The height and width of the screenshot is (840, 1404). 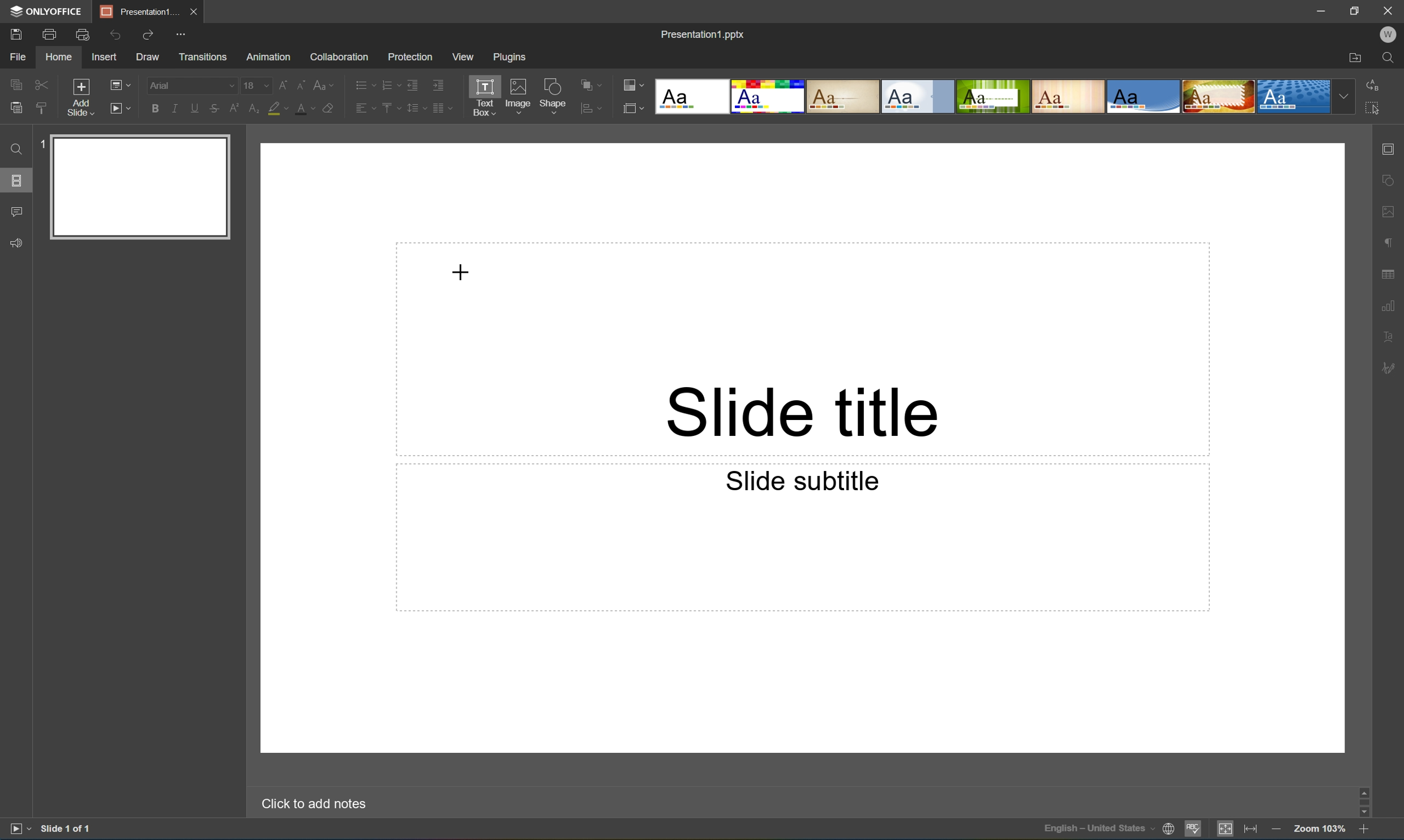 I want to click on Scroll Up, so click(x=1363, y=786).